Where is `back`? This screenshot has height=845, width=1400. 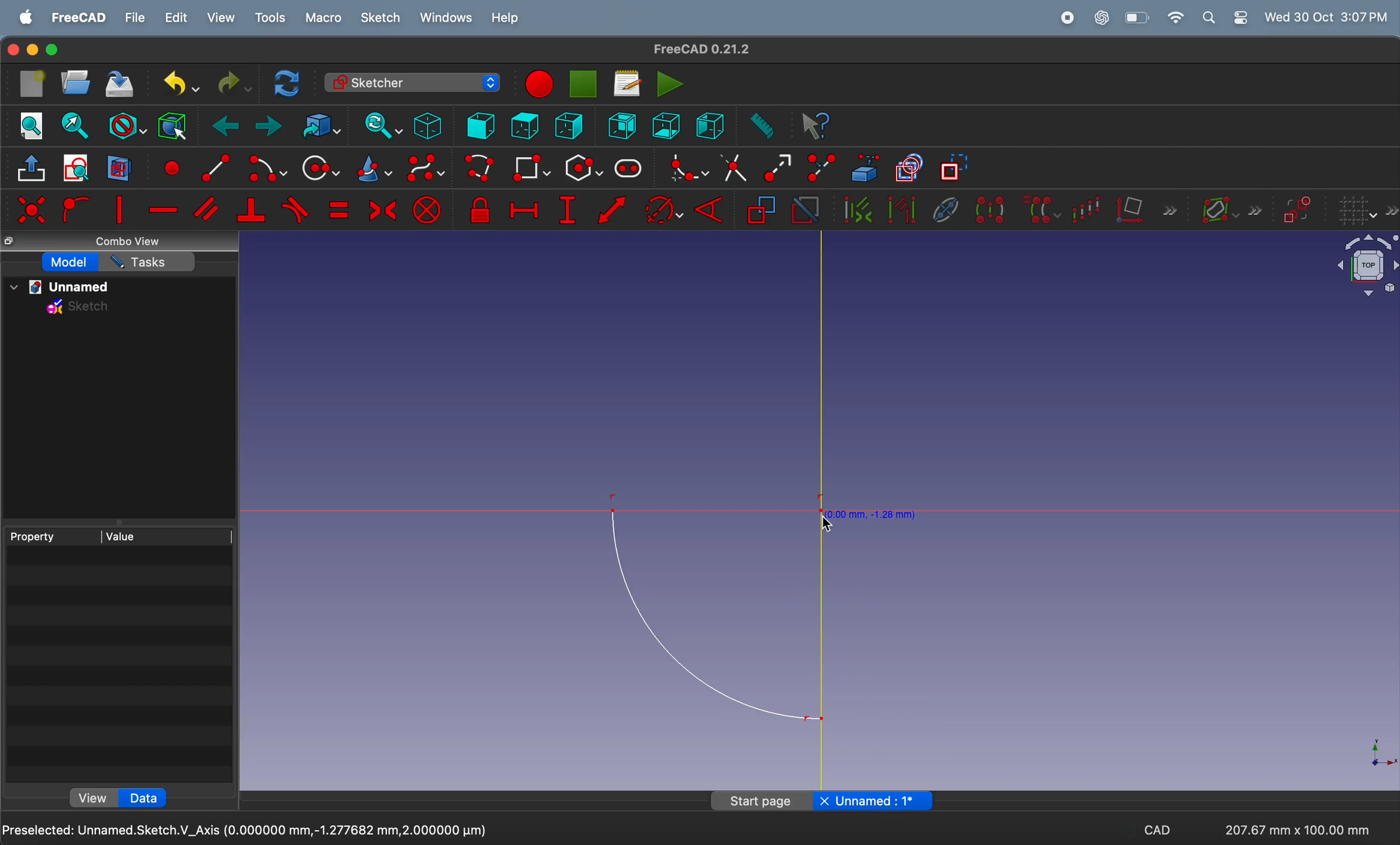
back is located at coordinates (228, 127).